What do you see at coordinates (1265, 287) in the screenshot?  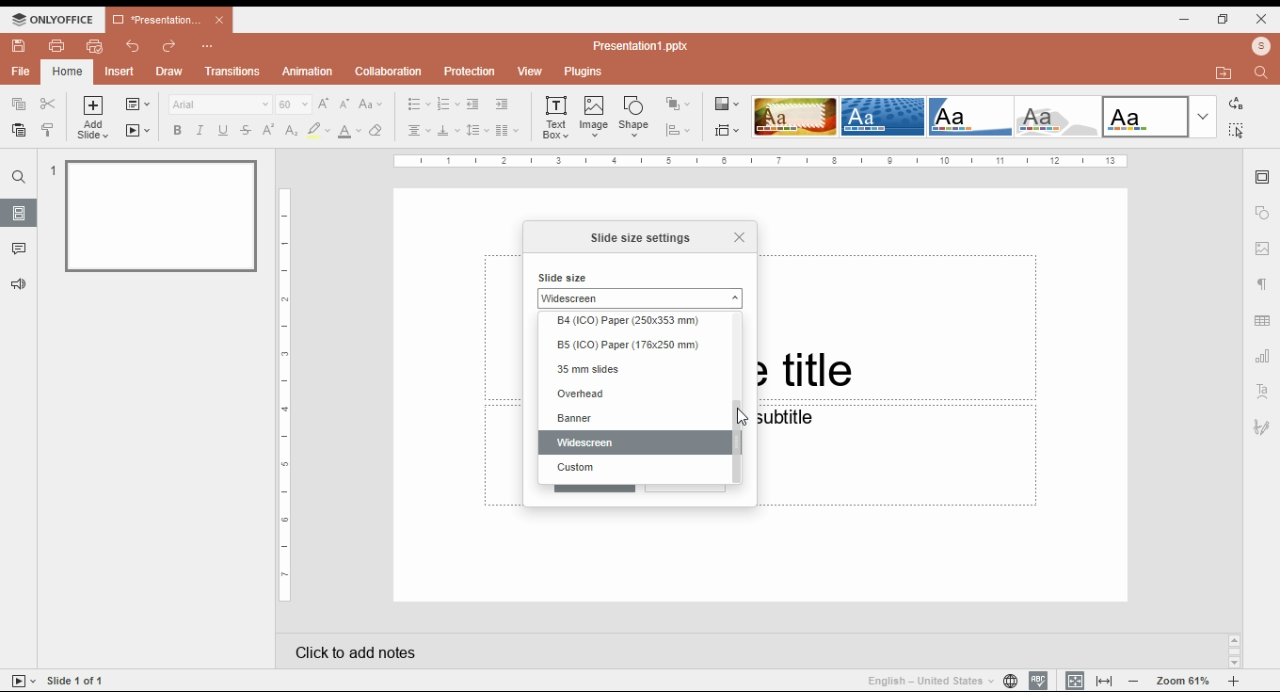 I see `paragraph settings` at bounding box center [1265, 287].